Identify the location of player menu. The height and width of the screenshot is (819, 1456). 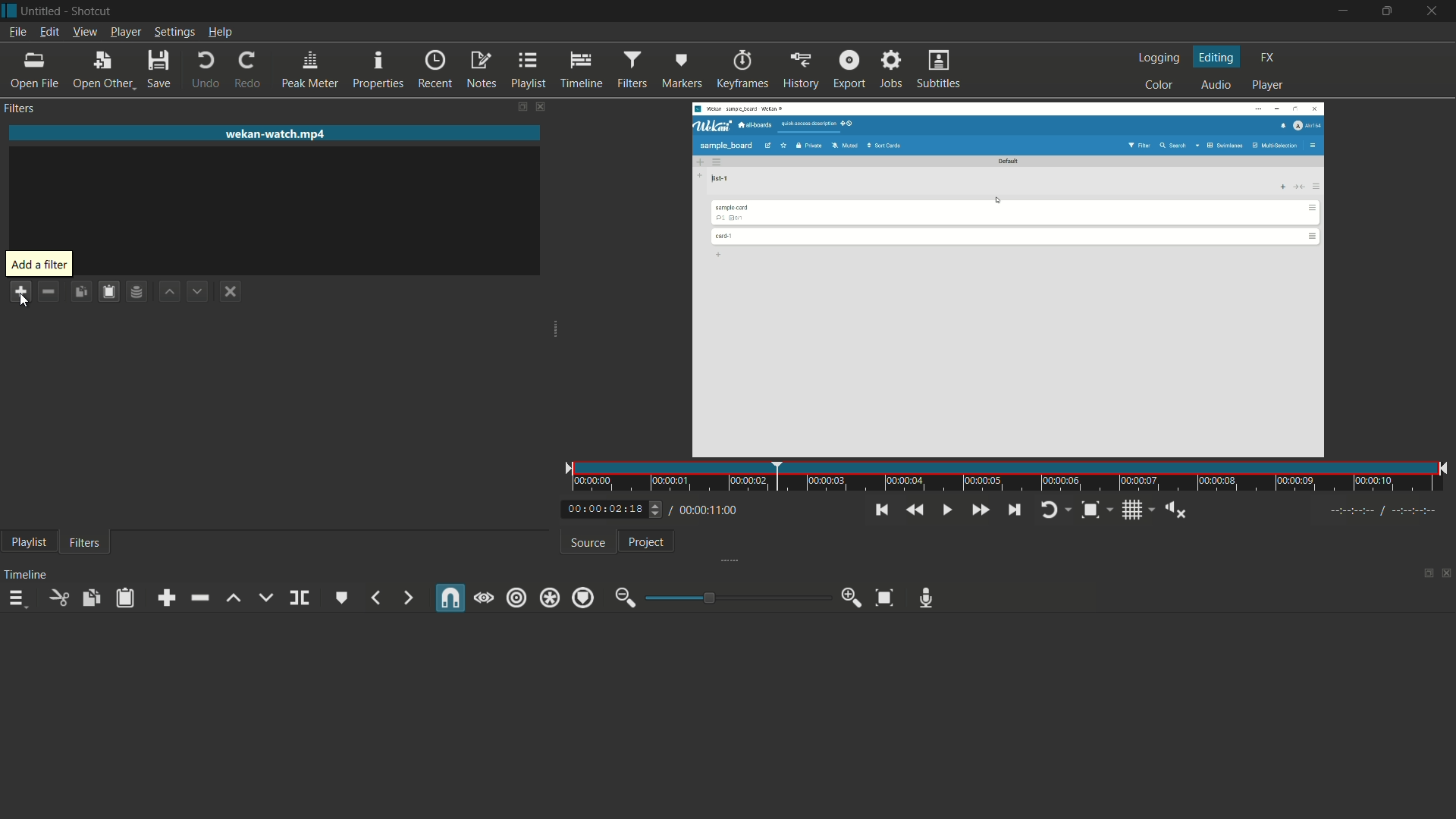
(127, 32).